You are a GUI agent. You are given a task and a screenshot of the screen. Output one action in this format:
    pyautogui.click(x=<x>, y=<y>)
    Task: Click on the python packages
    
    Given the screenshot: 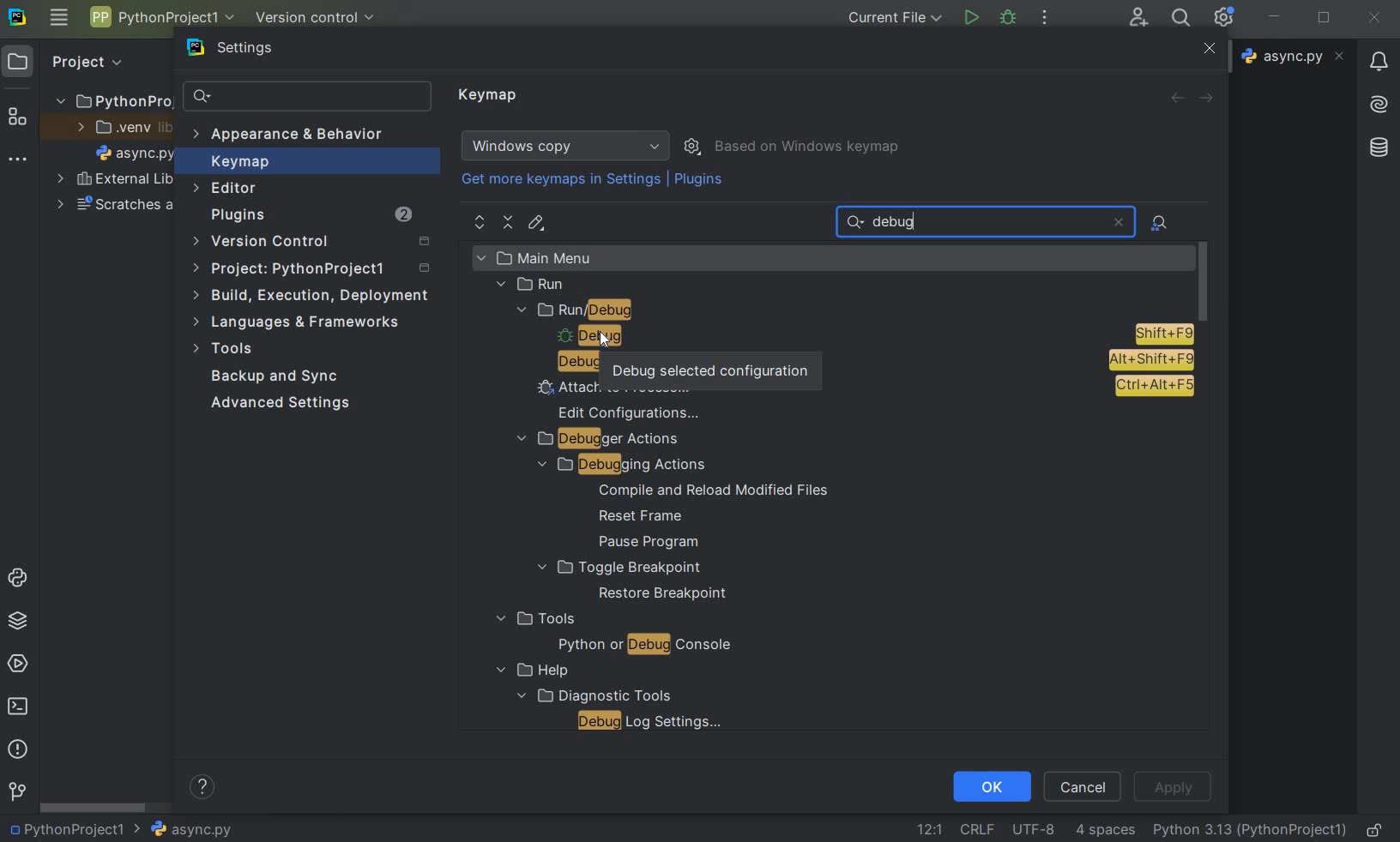 What is the action you would take?
    pyautogui.click(x=21, y=621)
    